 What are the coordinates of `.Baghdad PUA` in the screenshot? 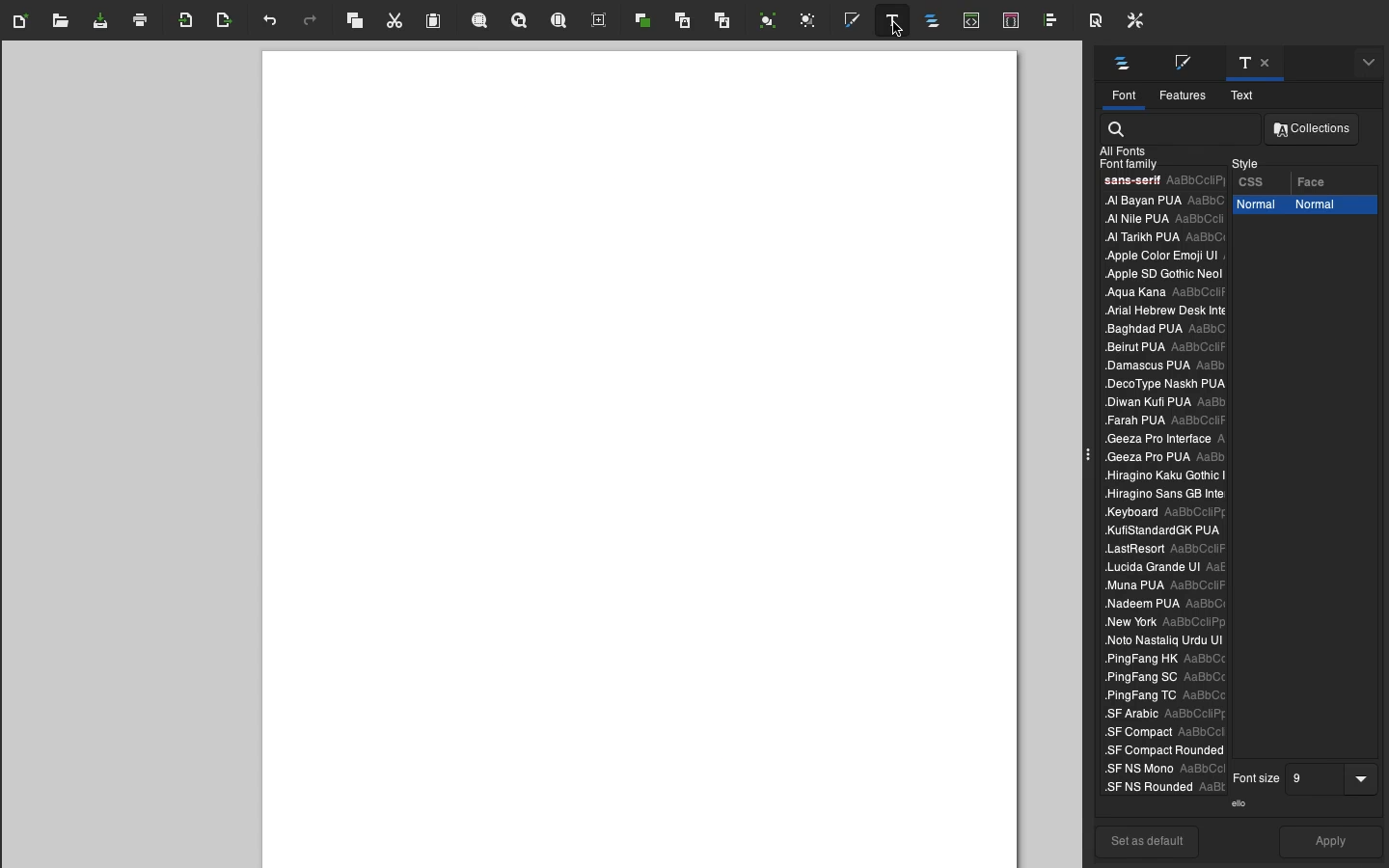 It's located at (1170, 329).